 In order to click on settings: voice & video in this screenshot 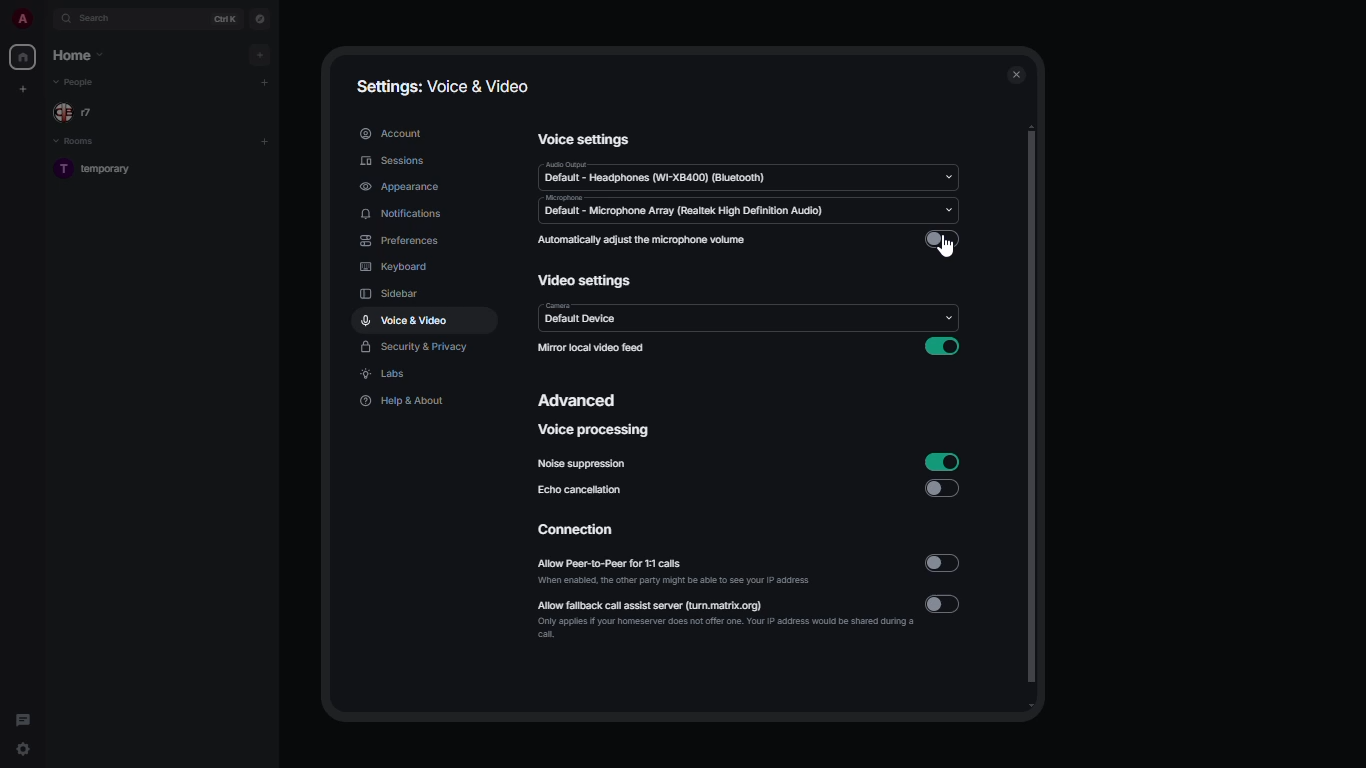, I will do `click(440, 86)`.